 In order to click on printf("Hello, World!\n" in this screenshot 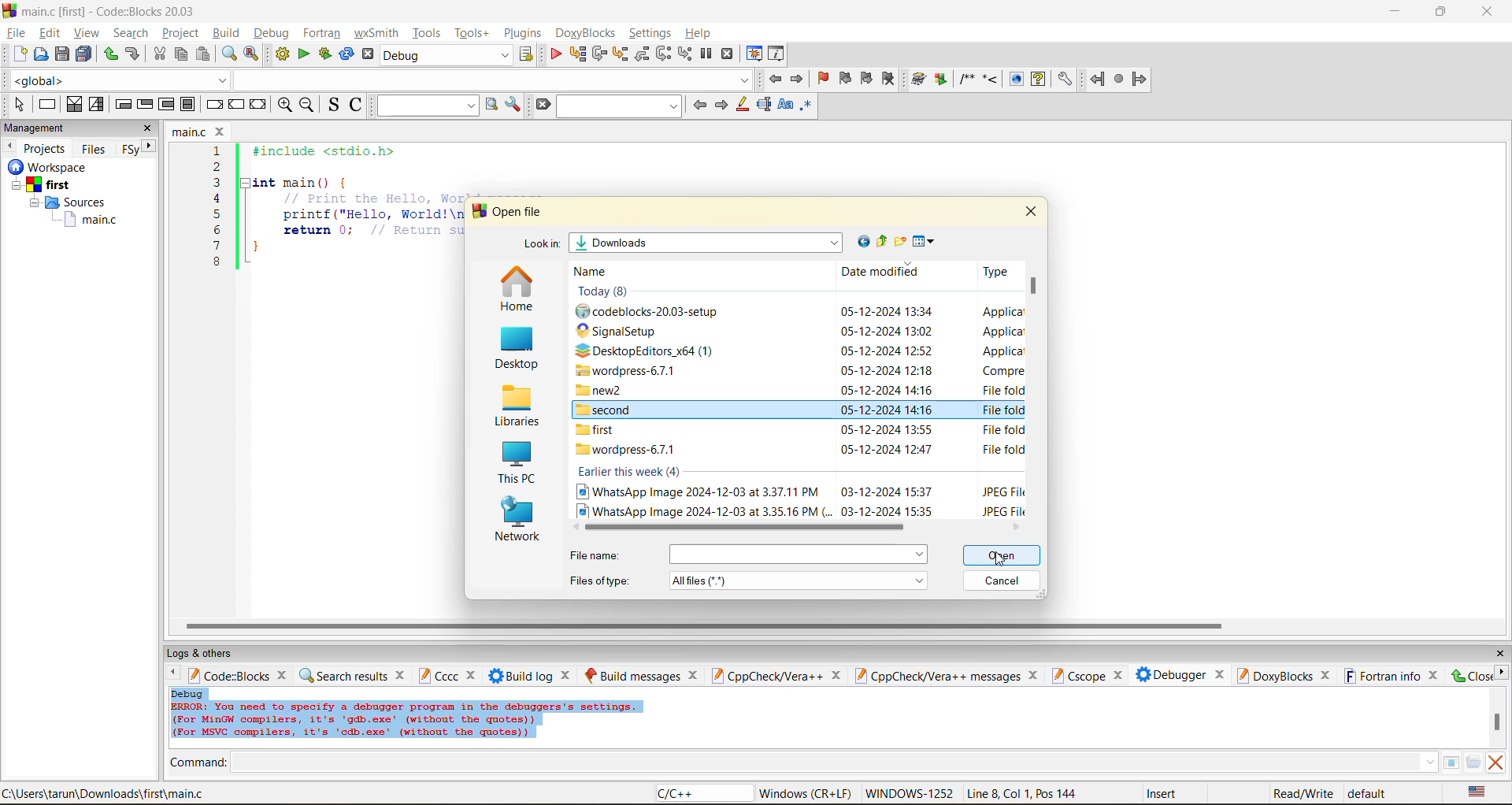, I will do `click(372, 214)`.